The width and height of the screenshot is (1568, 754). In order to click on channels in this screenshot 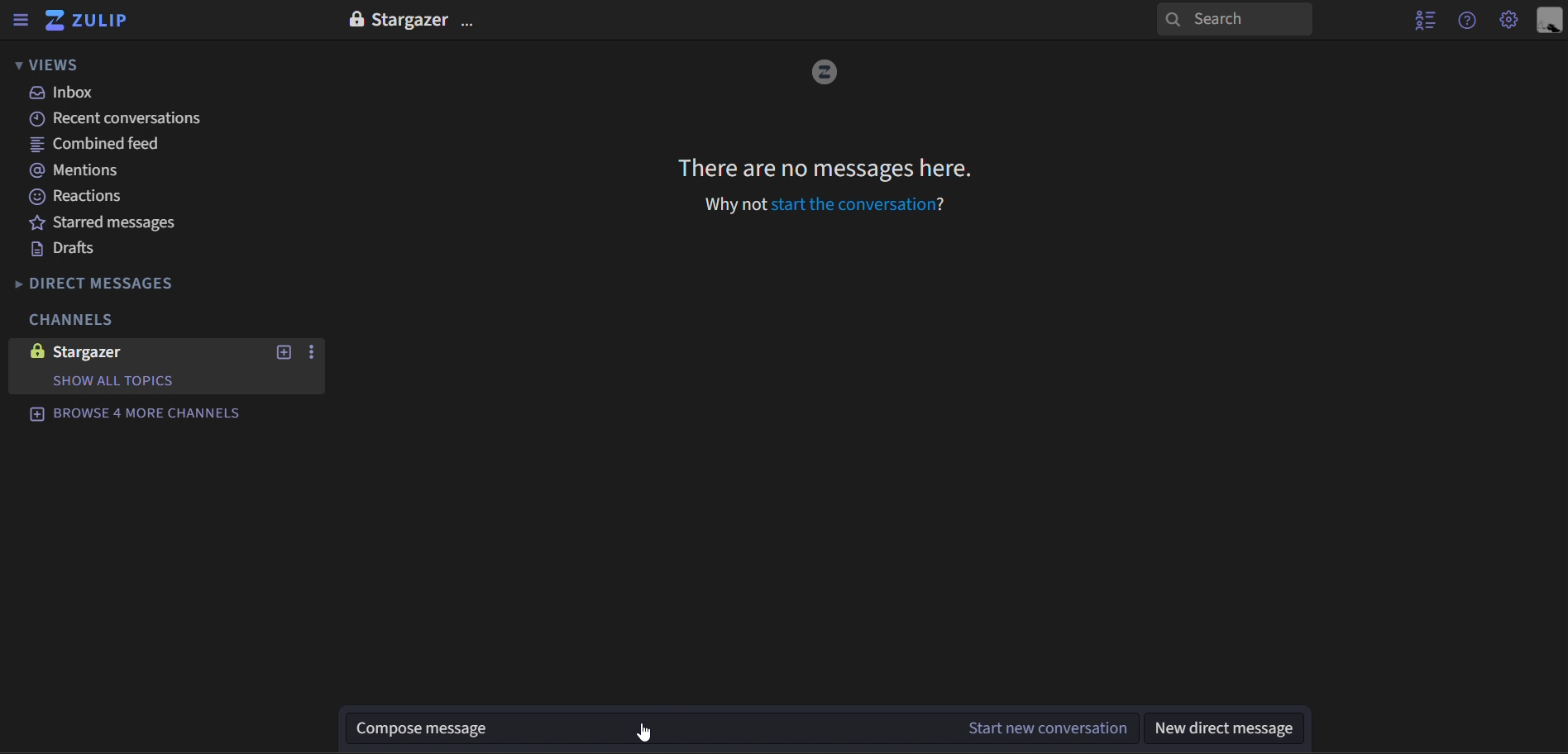, I will do `click(101, 318)`.